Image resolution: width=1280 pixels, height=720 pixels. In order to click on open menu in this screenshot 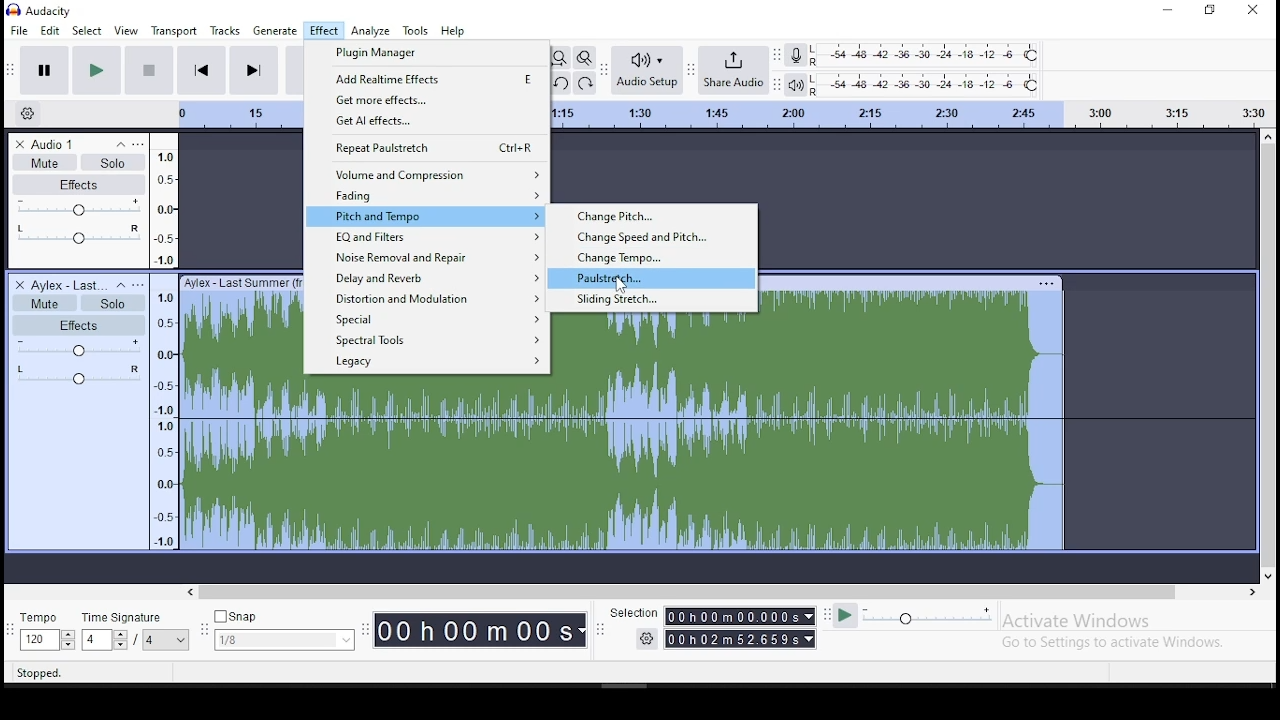, I will do `click(142, 284)`.